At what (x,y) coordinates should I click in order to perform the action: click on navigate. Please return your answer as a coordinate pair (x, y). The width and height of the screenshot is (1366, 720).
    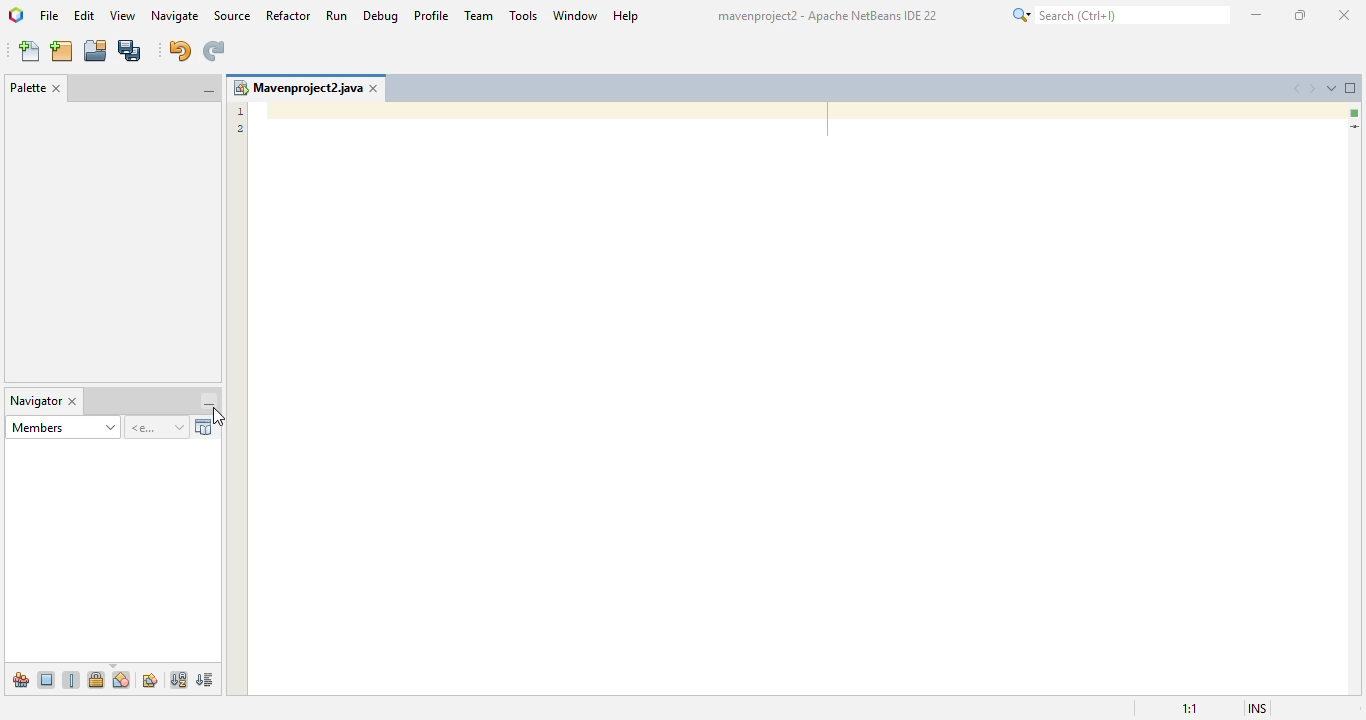
    Looking at the image, I should click on (175, 16).